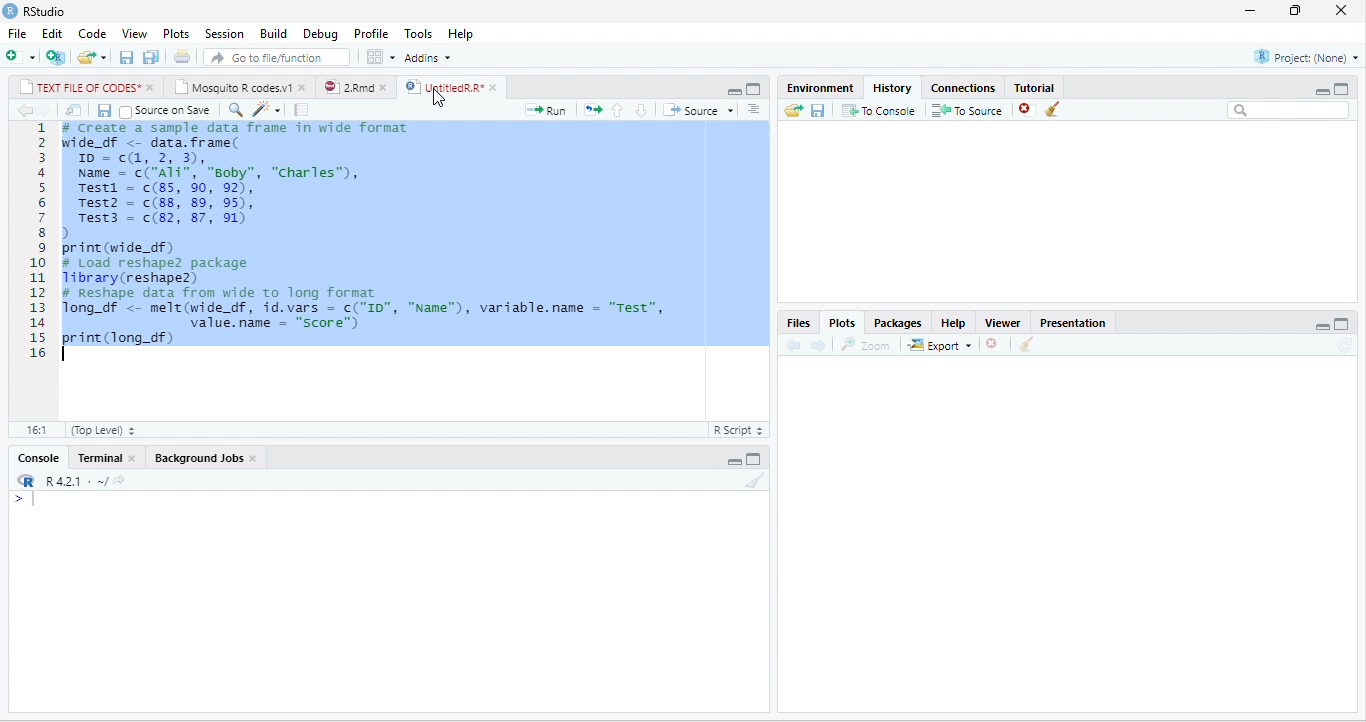 This screenshot has width=1366, height=722. What do you see at coordinates (151, 57) in the screenshot?
I see `save all` at bounding box center [151, 57].